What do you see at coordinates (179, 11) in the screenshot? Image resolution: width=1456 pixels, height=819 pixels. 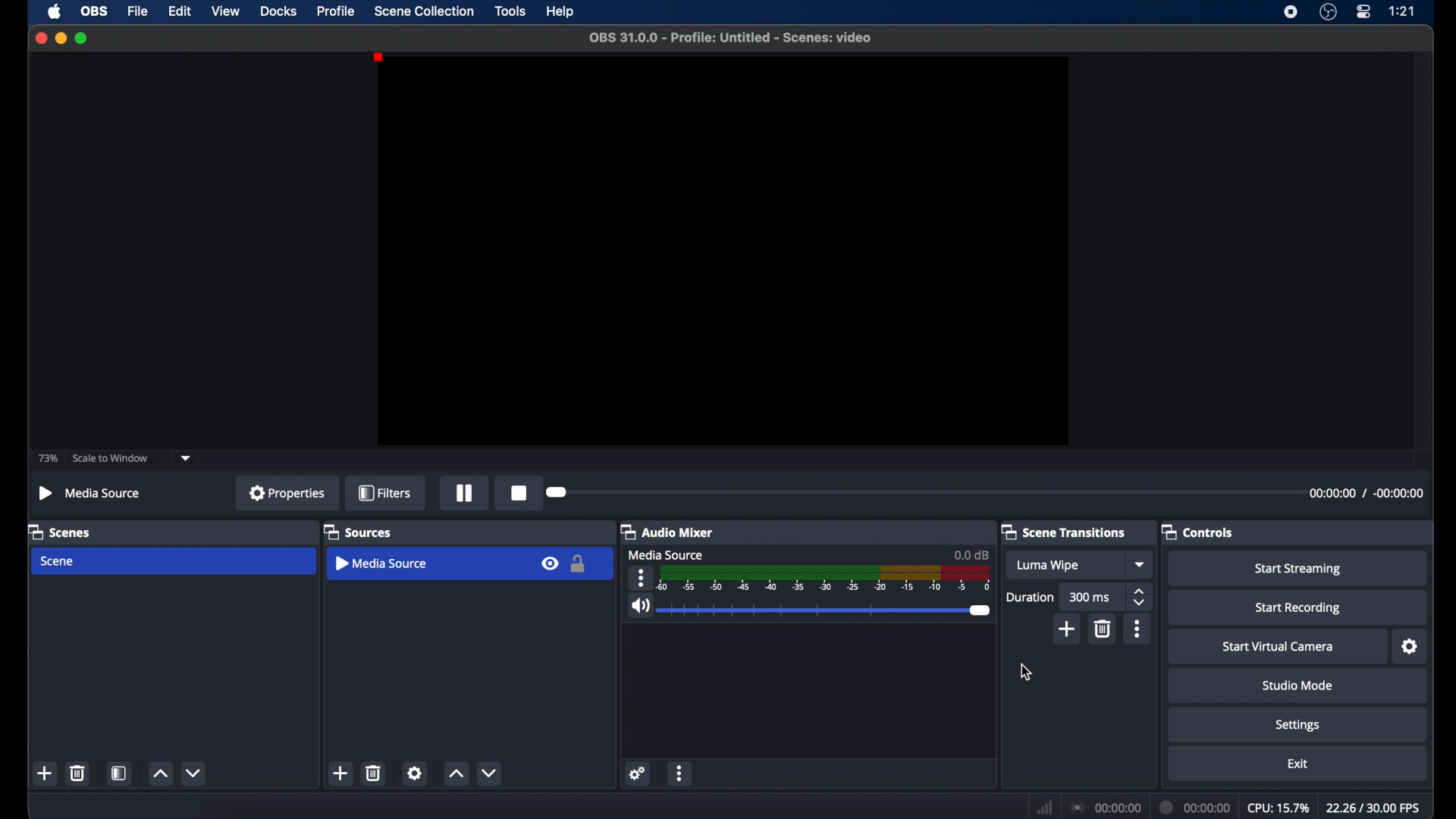 I see `edit` at bounding box center [179, 11].